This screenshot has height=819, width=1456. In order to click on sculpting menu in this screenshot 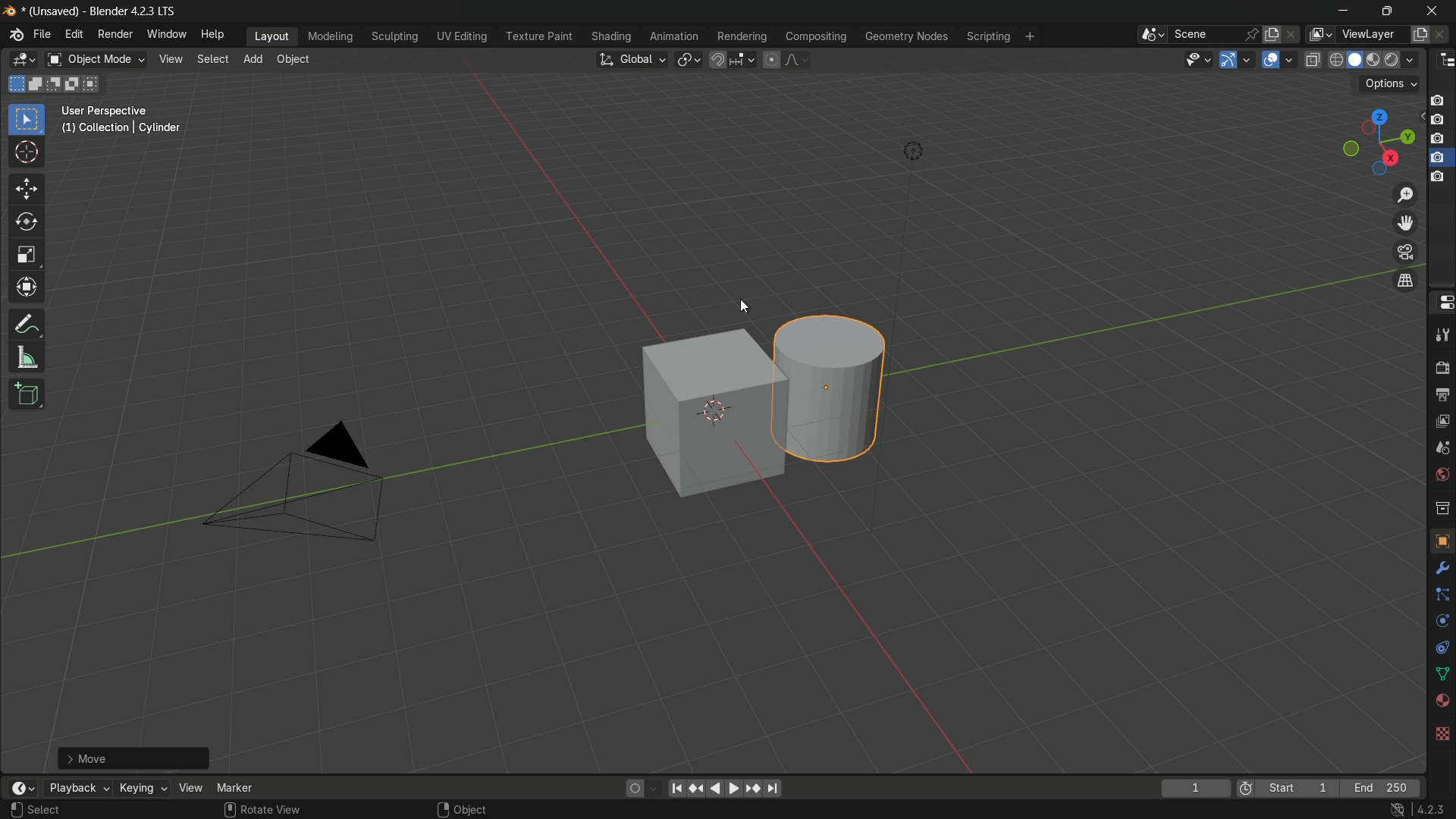, I will do `click(395, 37)`.